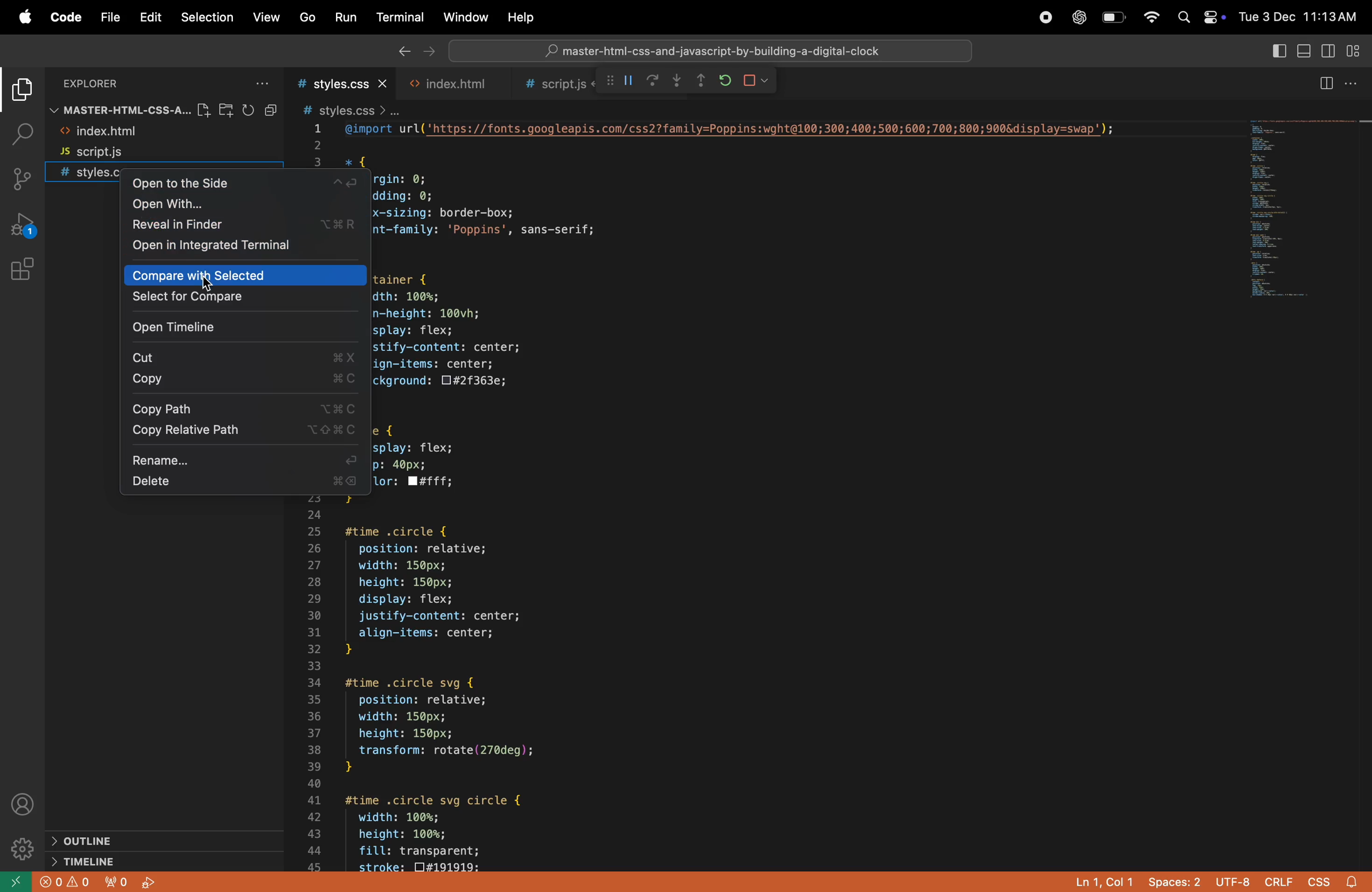 Image resolution: width=1372 pixels, height=892 pixels. I want to click on Cursor, so click(210, 288).